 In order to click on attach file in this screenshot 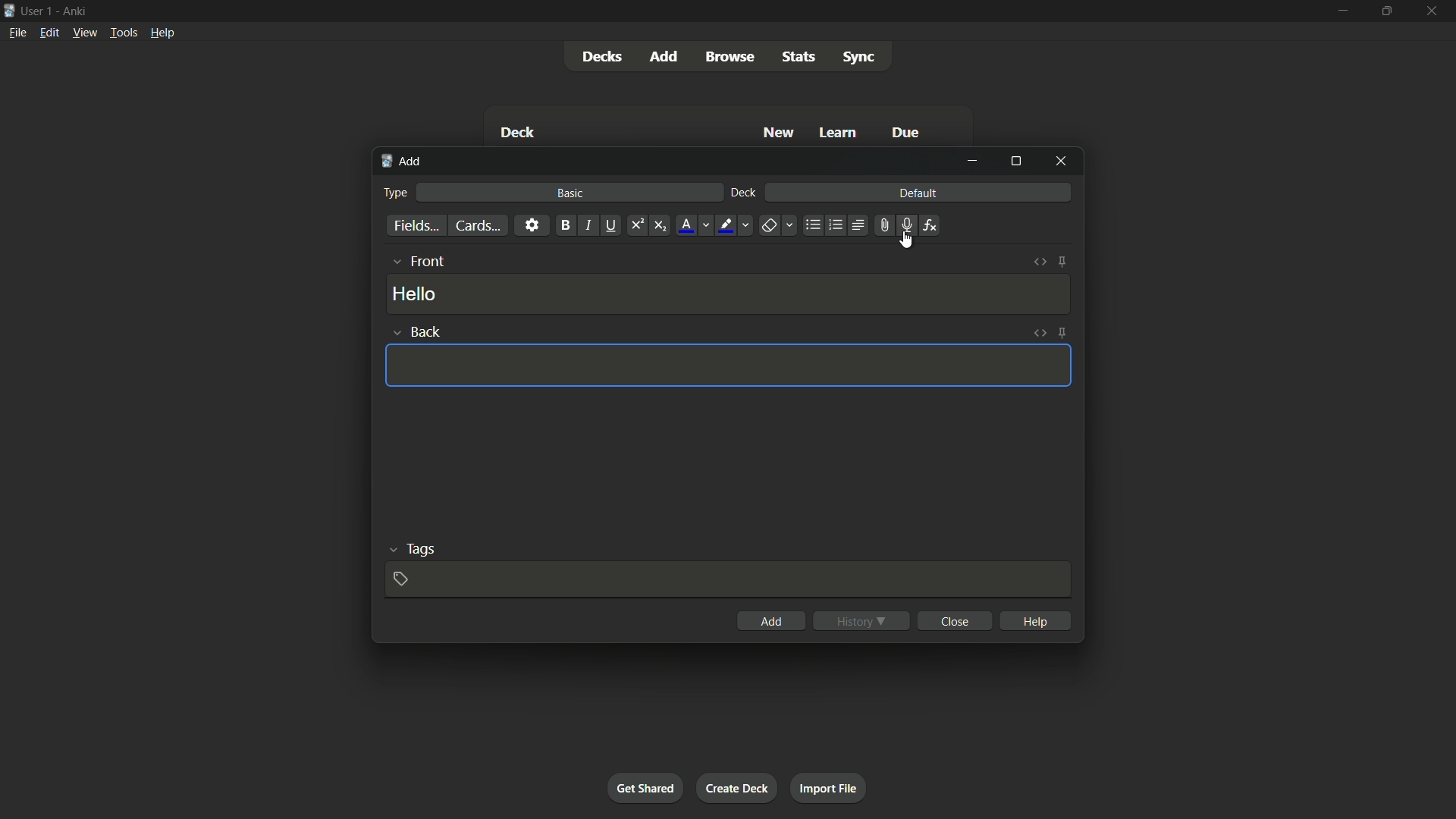, I will do `click(884, 226)`.